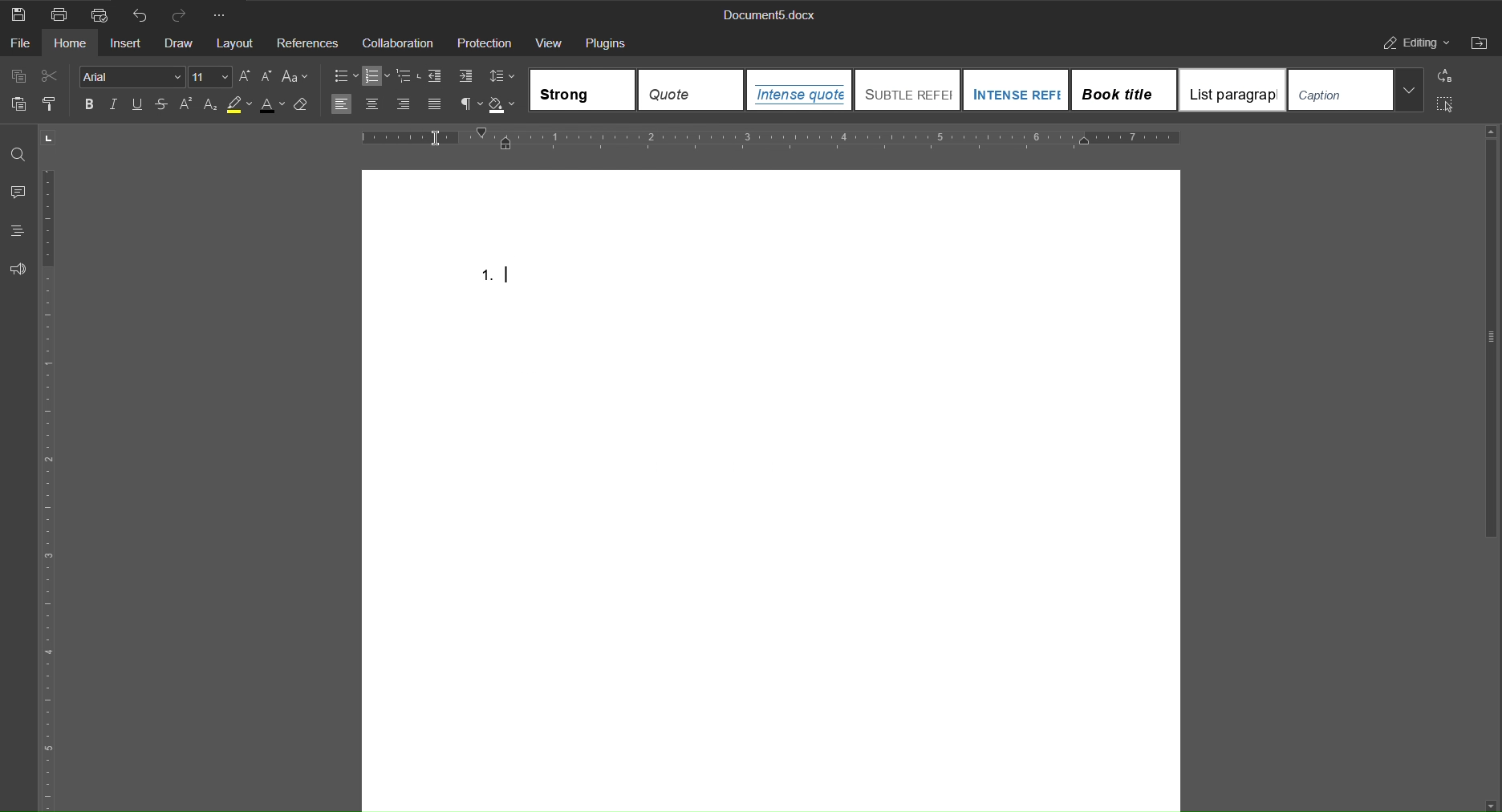 This screenshot has height=812, width=1502. Describe the element at coordinates (772, 136) in the screenshot. I see `Horizontal Ruler` at that location.